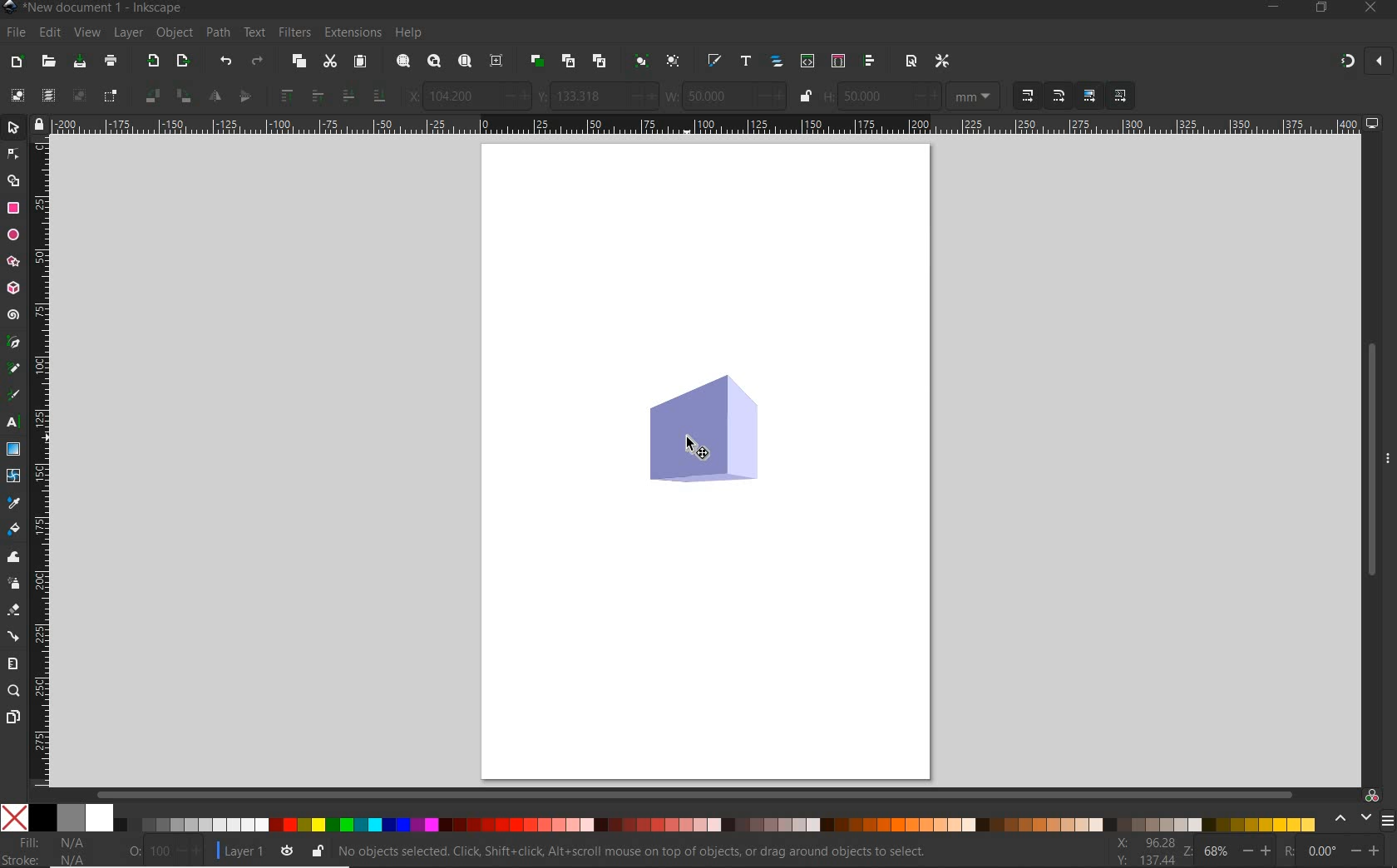 The image size is (1397, 868). I want to click on w, so click(672, 96).